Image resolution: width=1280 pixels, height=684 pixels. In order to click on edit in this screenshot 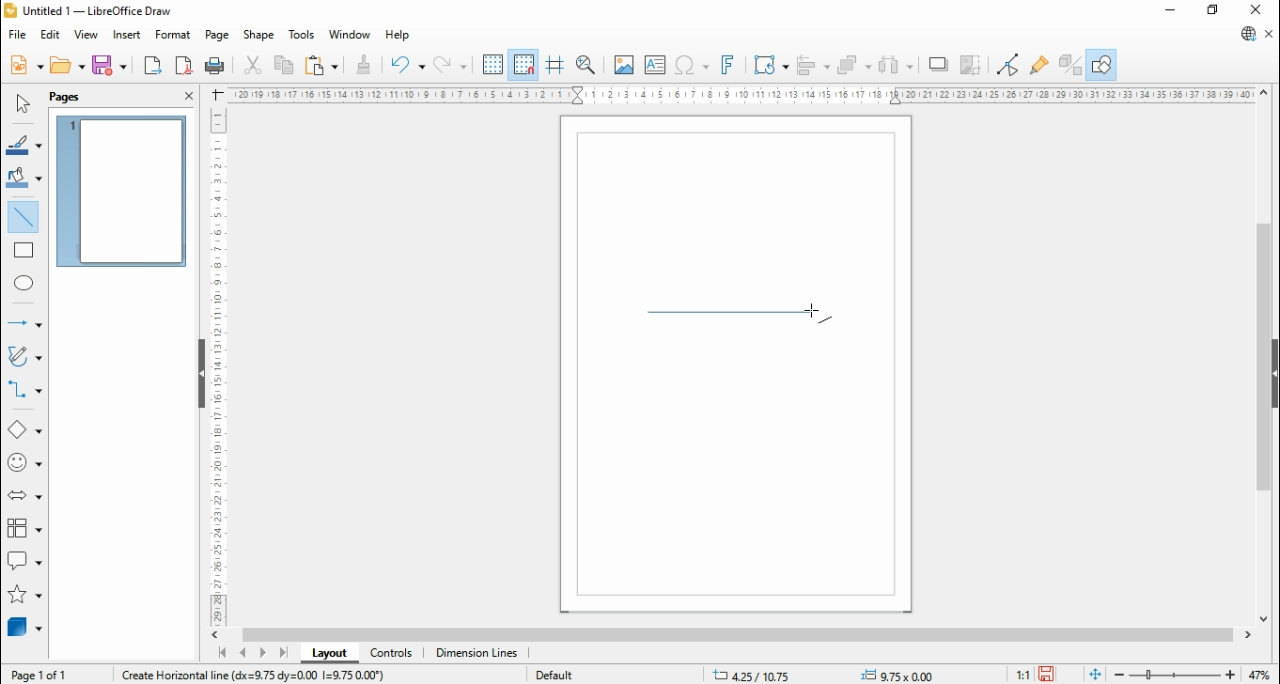, I will do `click(50, 36)`.